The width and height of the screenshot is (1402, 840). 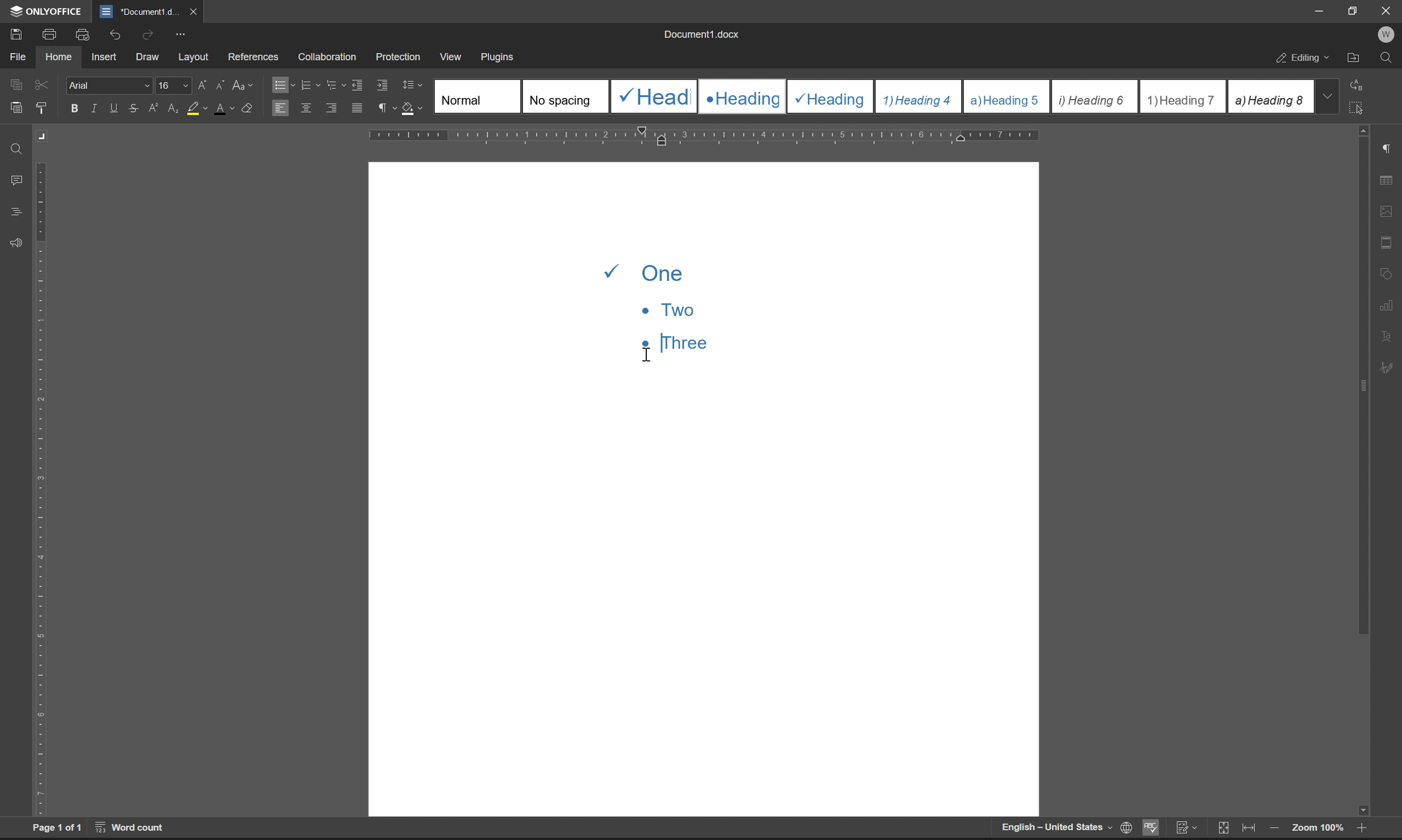 What do you see at coordinates (75, 109) in the screenshot?
I see `bold` at bounding box center [75, 109].